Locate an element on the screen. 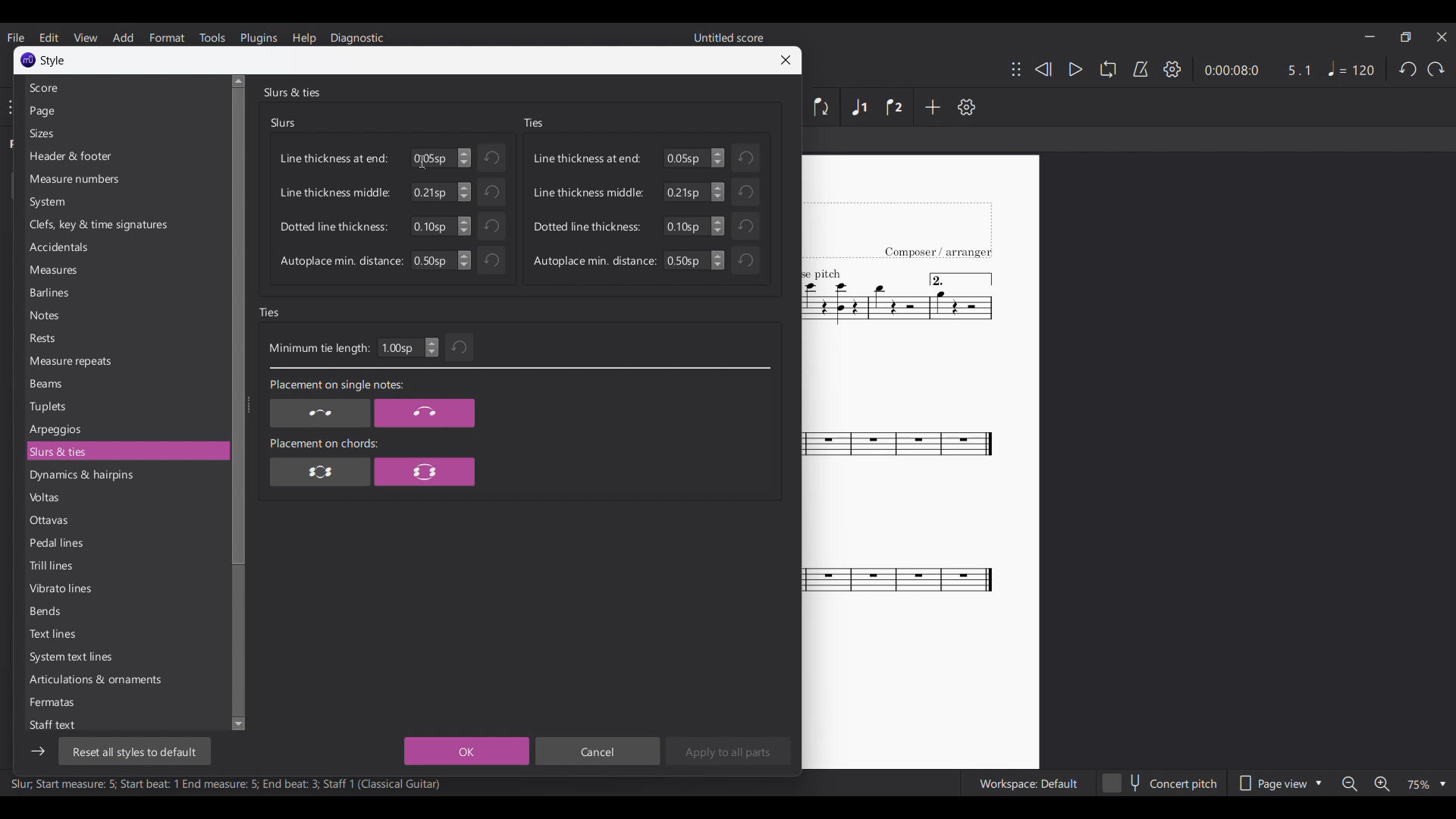 The width and height of the screenshot is (1456, 819). Ties is located at coordinates (270, 312).